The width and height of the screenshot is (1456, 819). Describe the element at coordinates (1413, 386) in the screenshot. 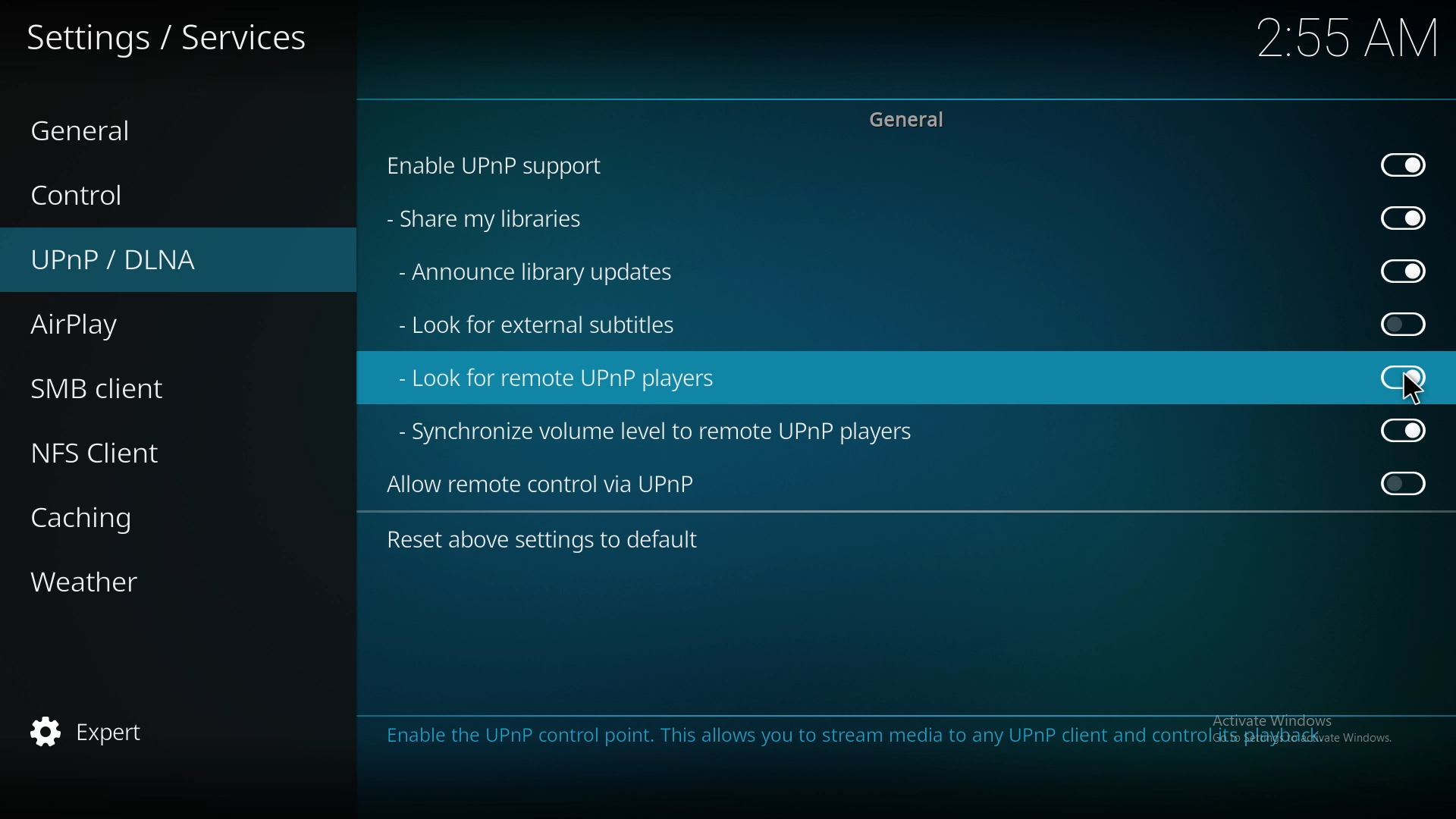

I see `pointer cursor` at that location.